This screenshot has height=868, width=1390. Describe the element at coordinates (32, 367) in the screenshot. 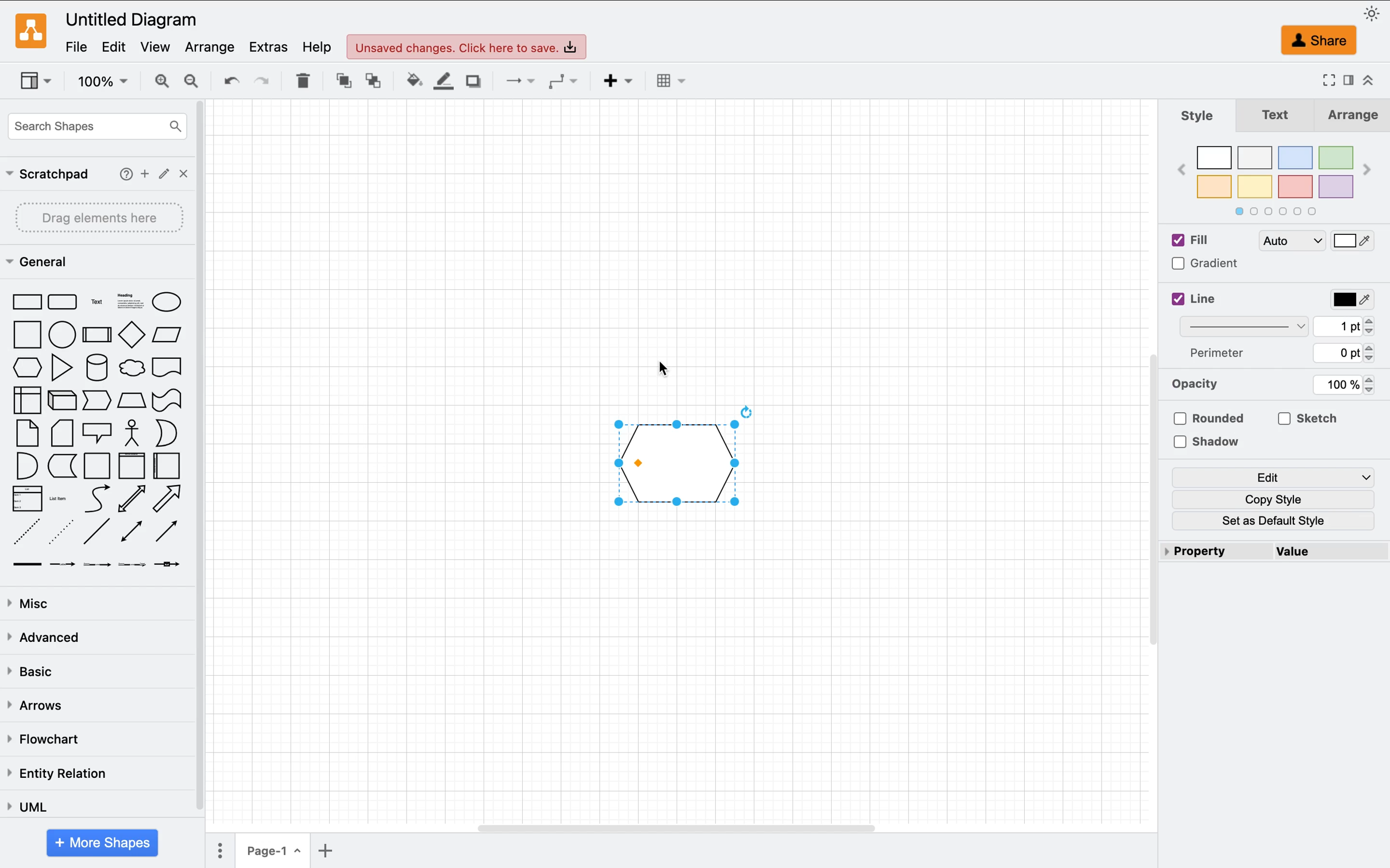

I see `cursor` at that location.